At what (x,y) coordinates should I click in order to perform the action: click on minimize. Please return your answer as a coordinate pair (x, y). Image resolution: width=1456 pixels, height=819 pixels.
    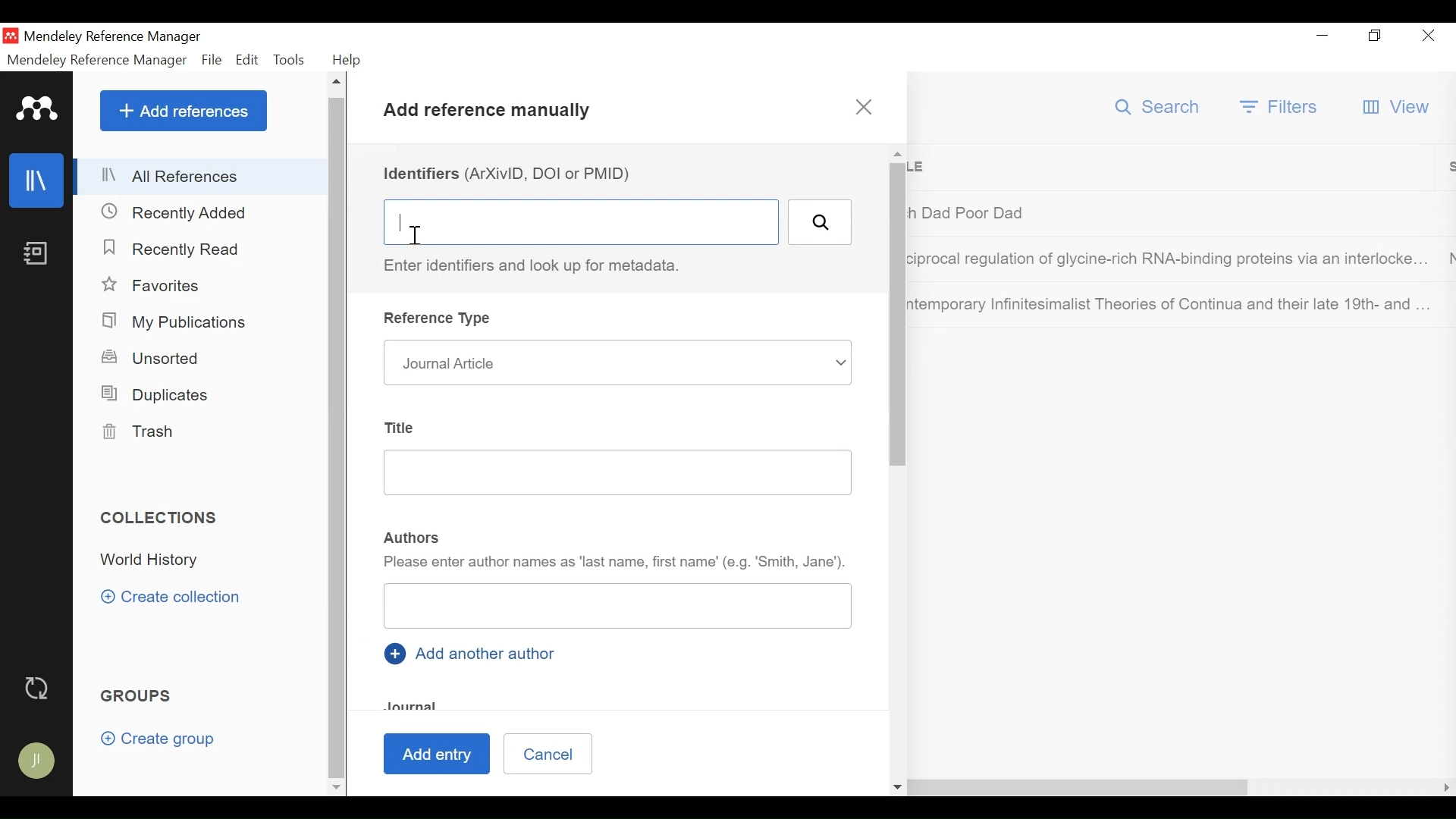
    Looking at the image, I should click on (1323, 37).